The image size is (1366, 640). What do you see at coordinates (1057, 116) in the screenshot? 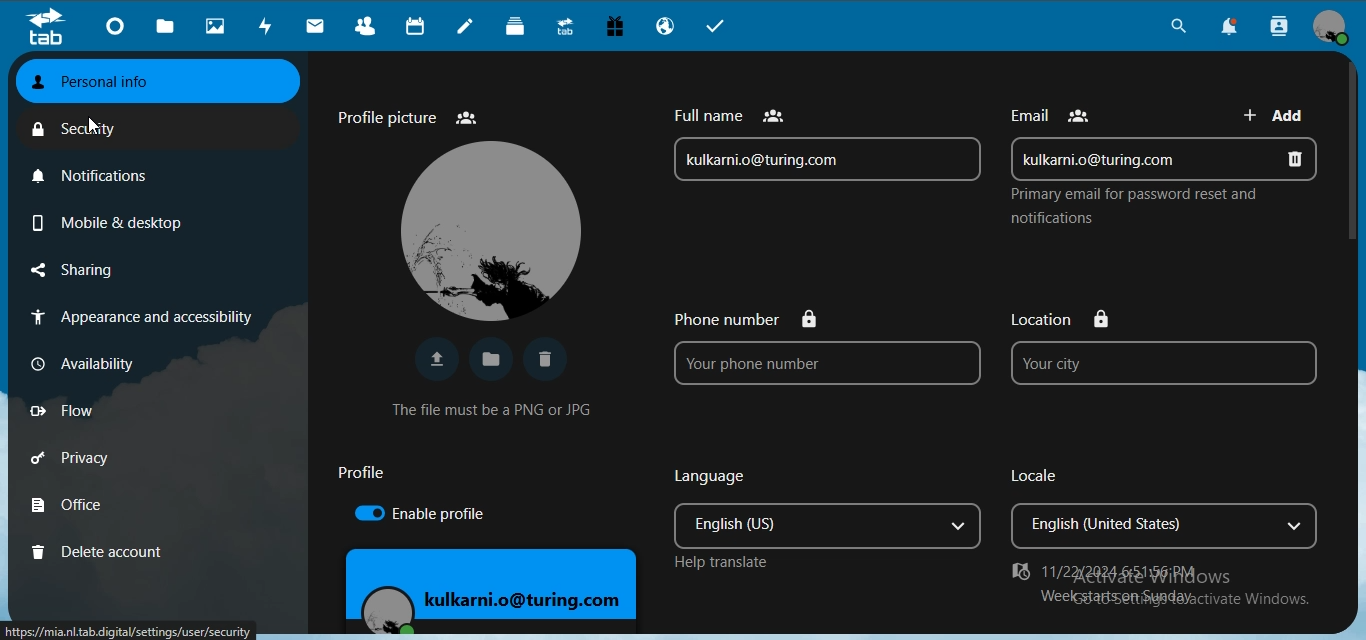
I see `email` at bounding box center [1057, 116].